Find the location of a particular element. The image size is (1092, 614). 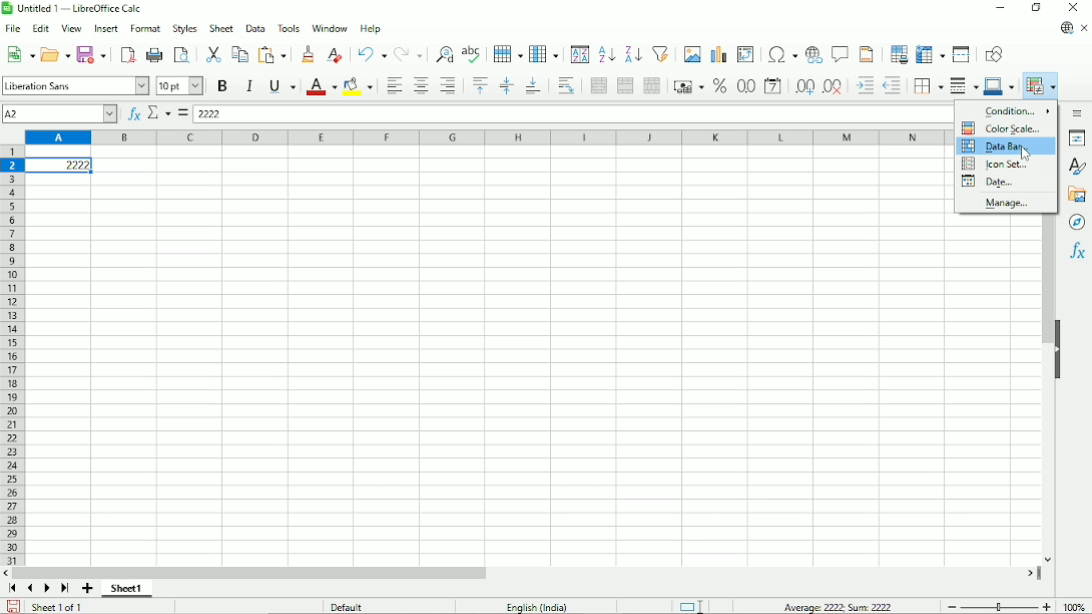

Insert special characters is located at coordinates (780, 53).